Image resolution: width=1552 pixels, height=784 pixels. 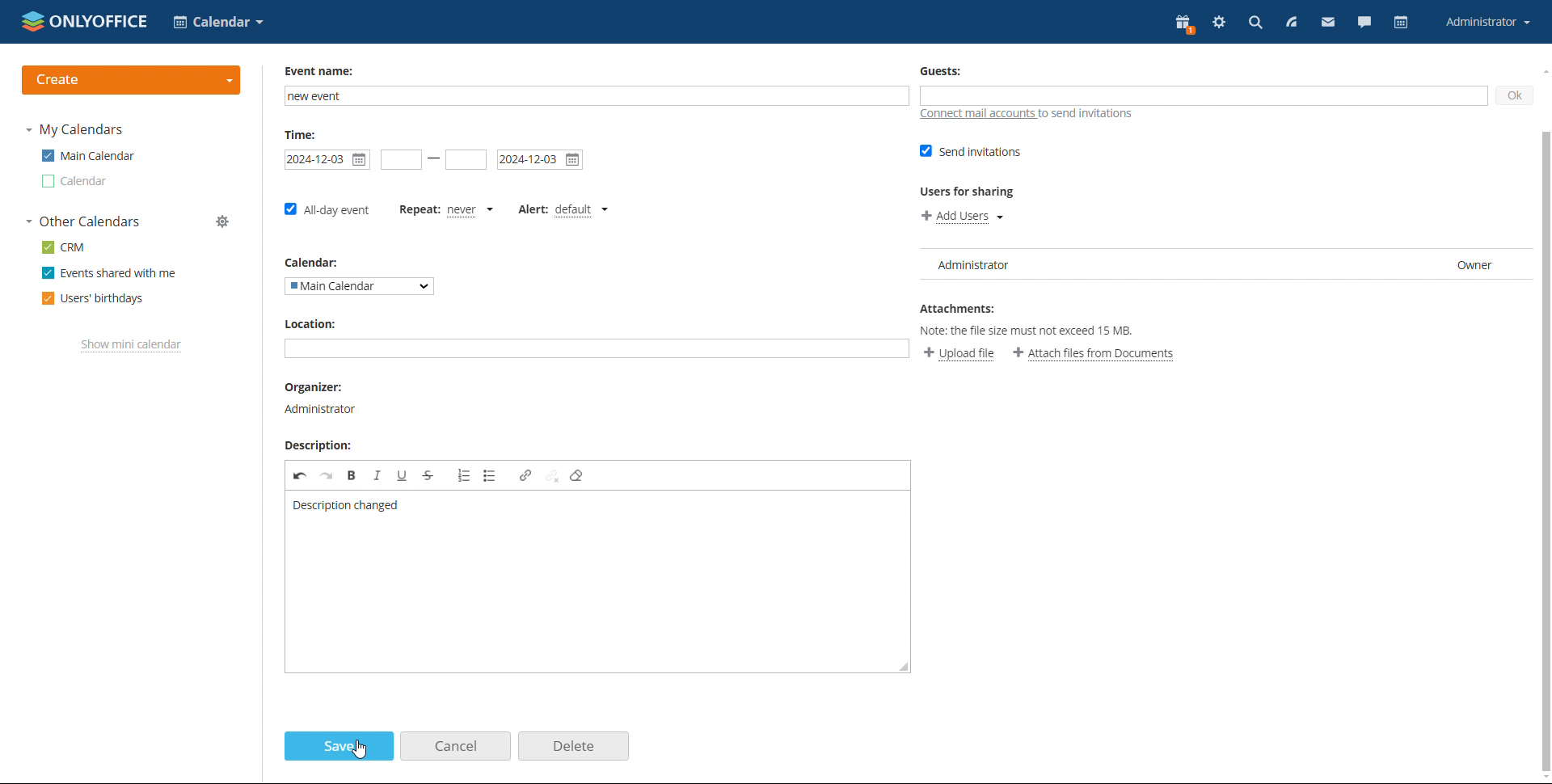 What do you see at coordinates (1551, 400) in the screenshot?
I see `scrollbar` at bounding box center [1551, 400].